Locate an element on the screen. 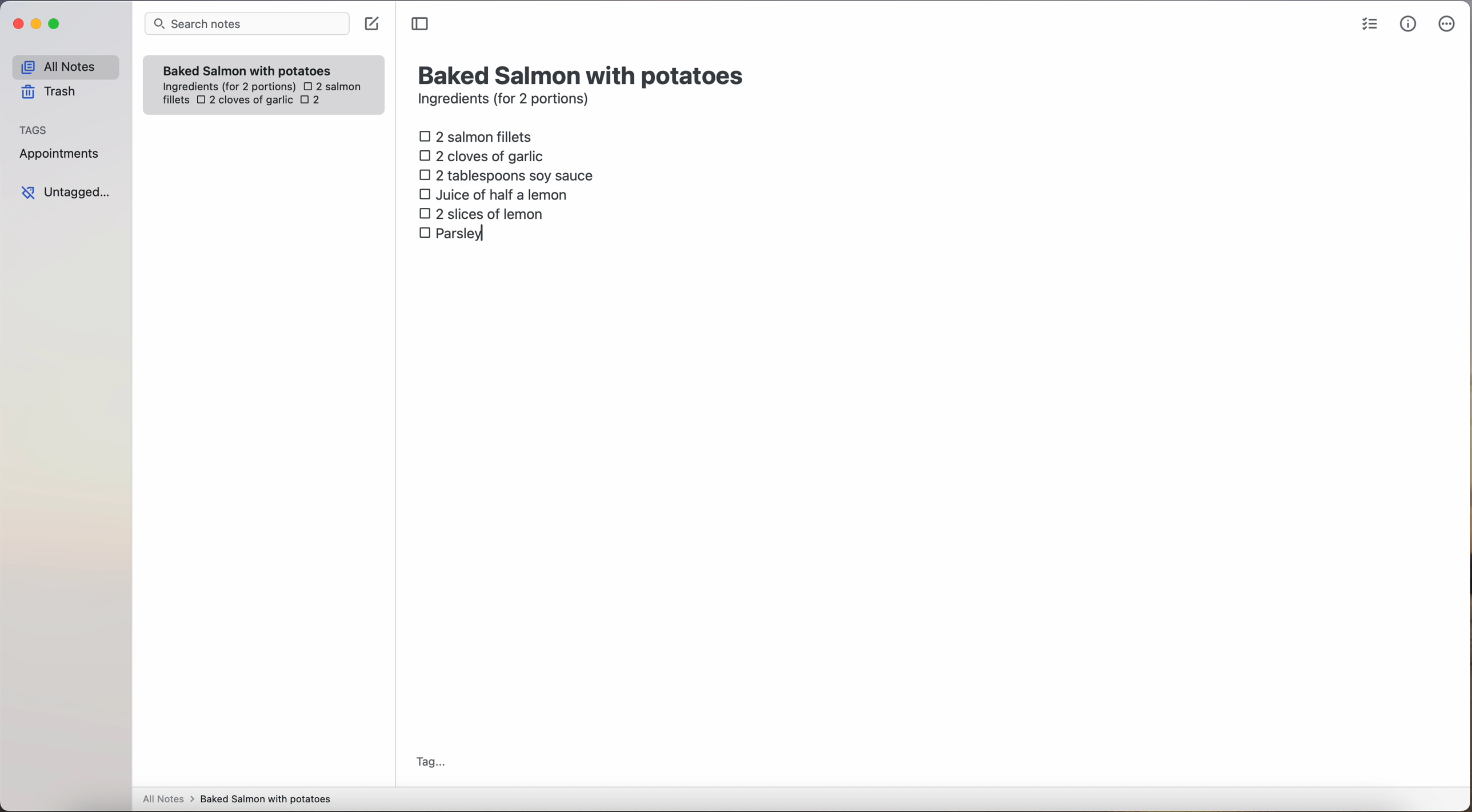 Image resolution: width=1472 pixels, height=812 pixels. minimize Simplenote is located at coordinates (36, 25).